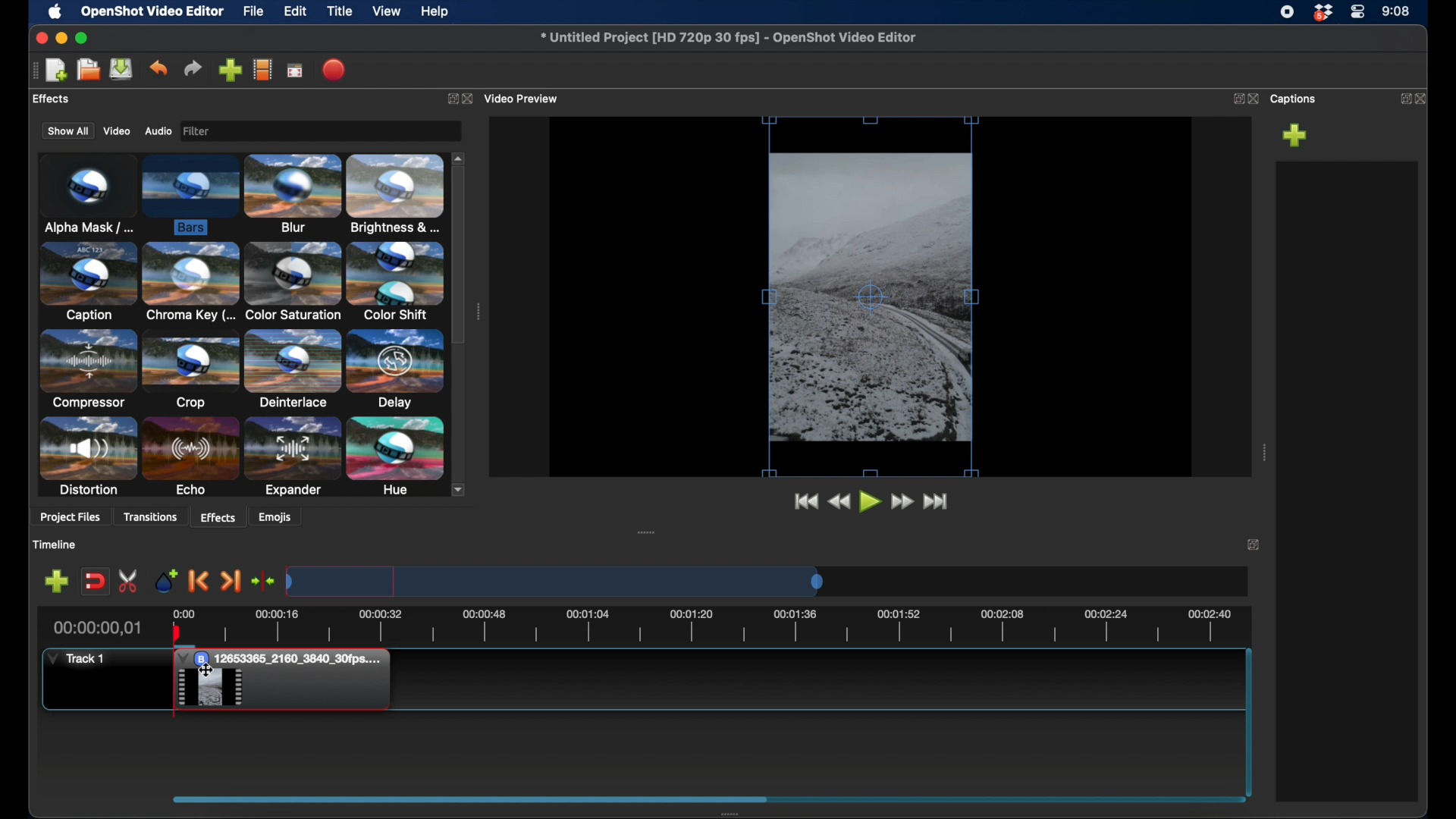 This screenshot has width=1456, height=819. I want to click on bars, so click(190, 196).